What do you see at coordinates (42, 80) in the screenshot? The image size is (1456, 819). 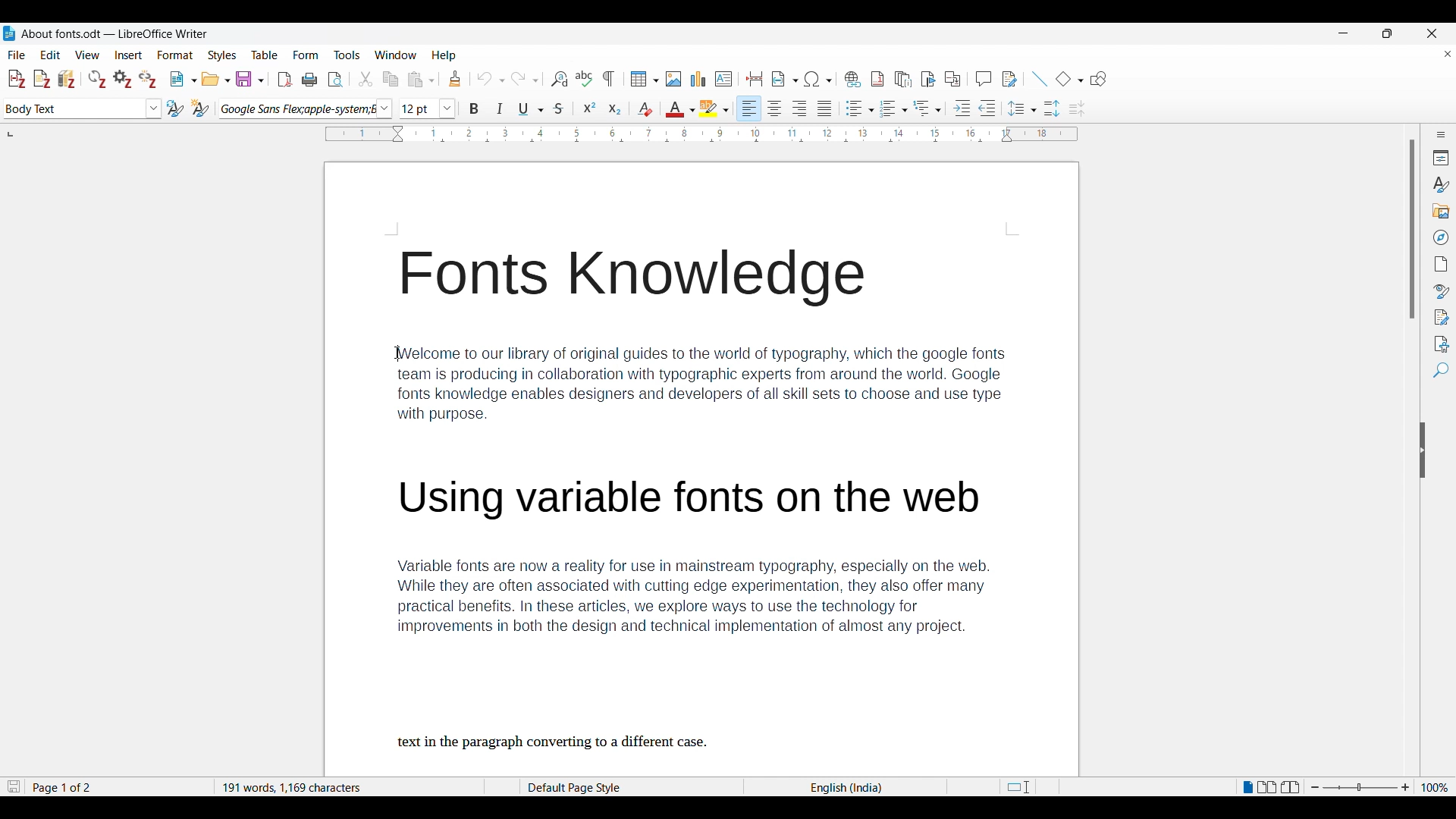 I see `Add note` at bounding box center [42, 80].